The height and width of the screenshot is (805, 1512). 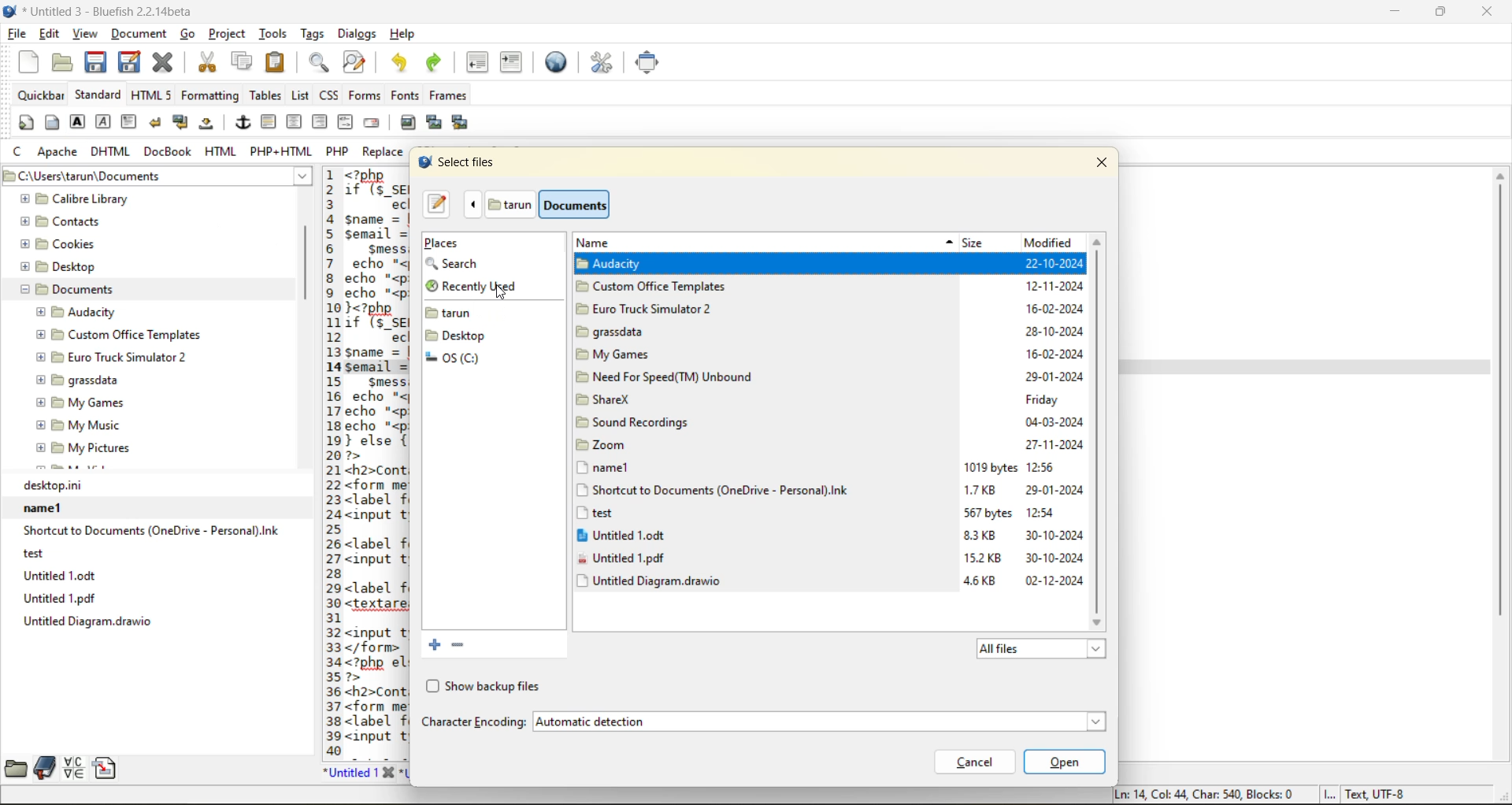 I want to click on indent, so click(x=510, y=62).